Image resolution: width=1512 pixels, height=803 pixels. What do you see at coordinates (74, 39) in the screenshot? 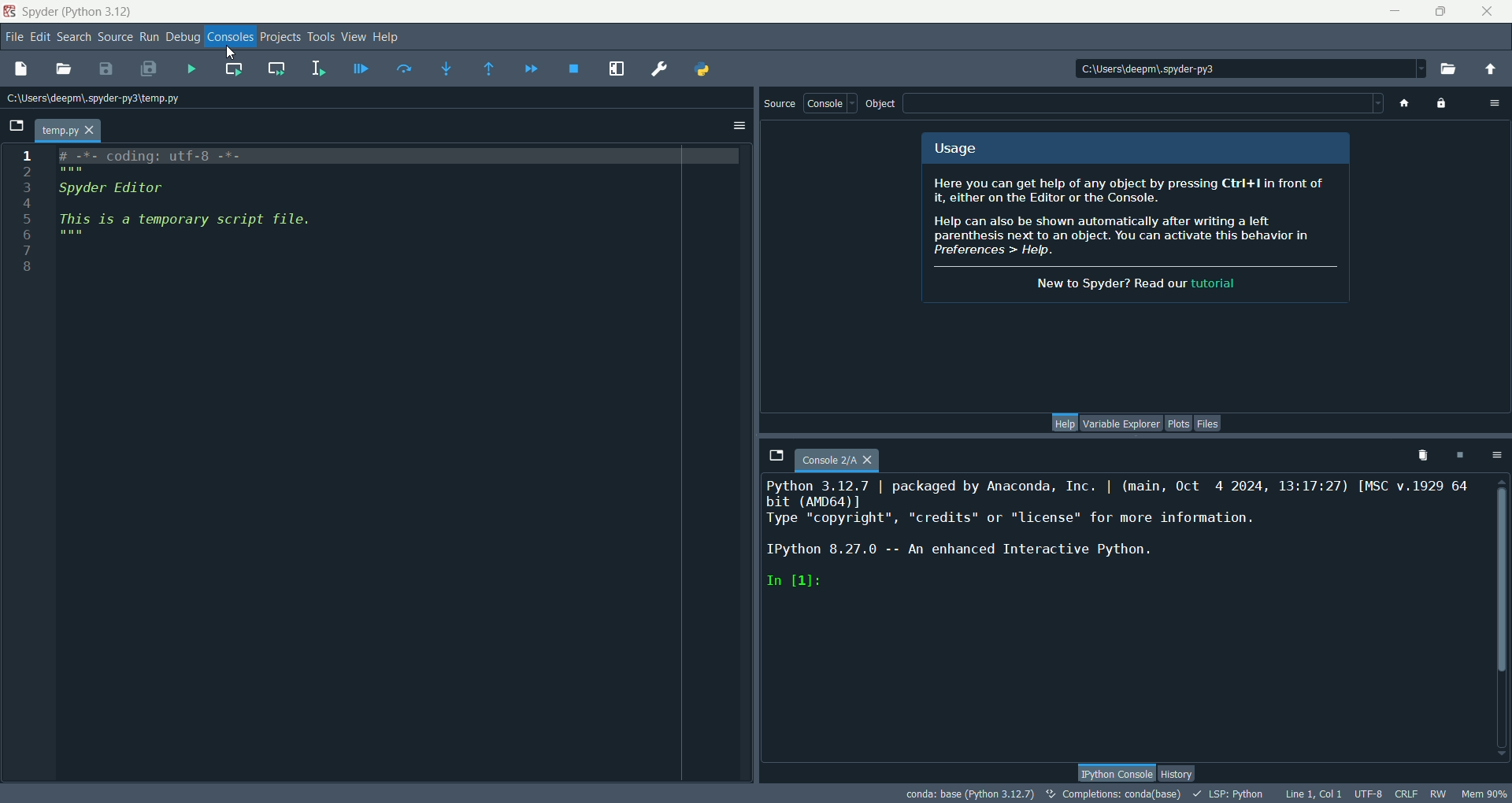
I see `search` at bounding box center [74, 39].